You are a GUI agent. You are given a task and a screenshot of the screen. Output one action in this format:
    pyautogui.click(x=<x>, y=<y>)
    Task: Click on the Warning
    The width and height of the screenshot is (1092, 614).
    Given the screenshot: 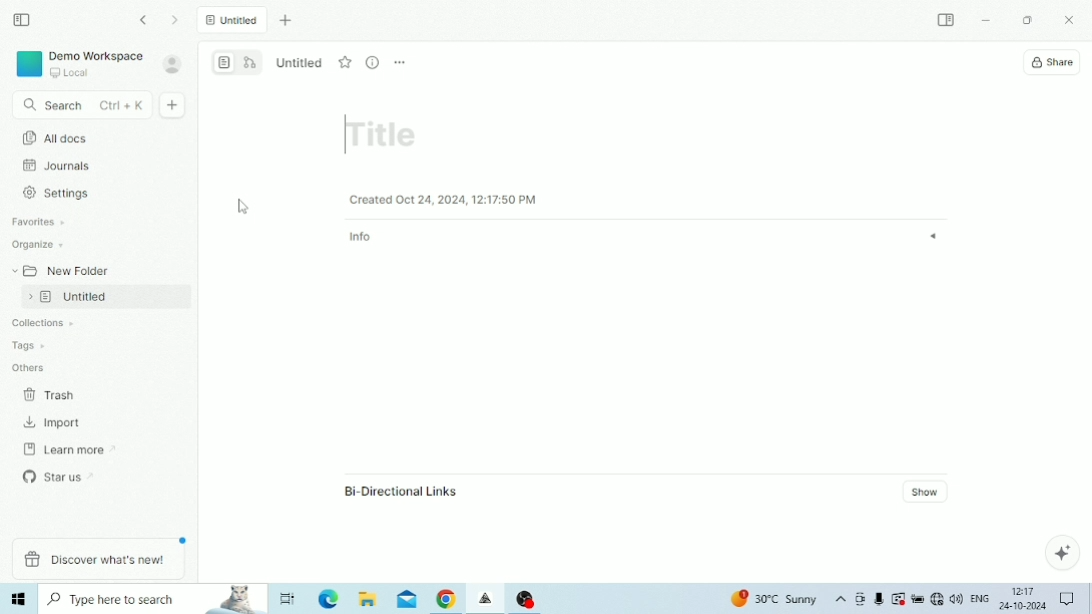 What is the action you would take?
    pyautogui.click(x=898, y=598)
    